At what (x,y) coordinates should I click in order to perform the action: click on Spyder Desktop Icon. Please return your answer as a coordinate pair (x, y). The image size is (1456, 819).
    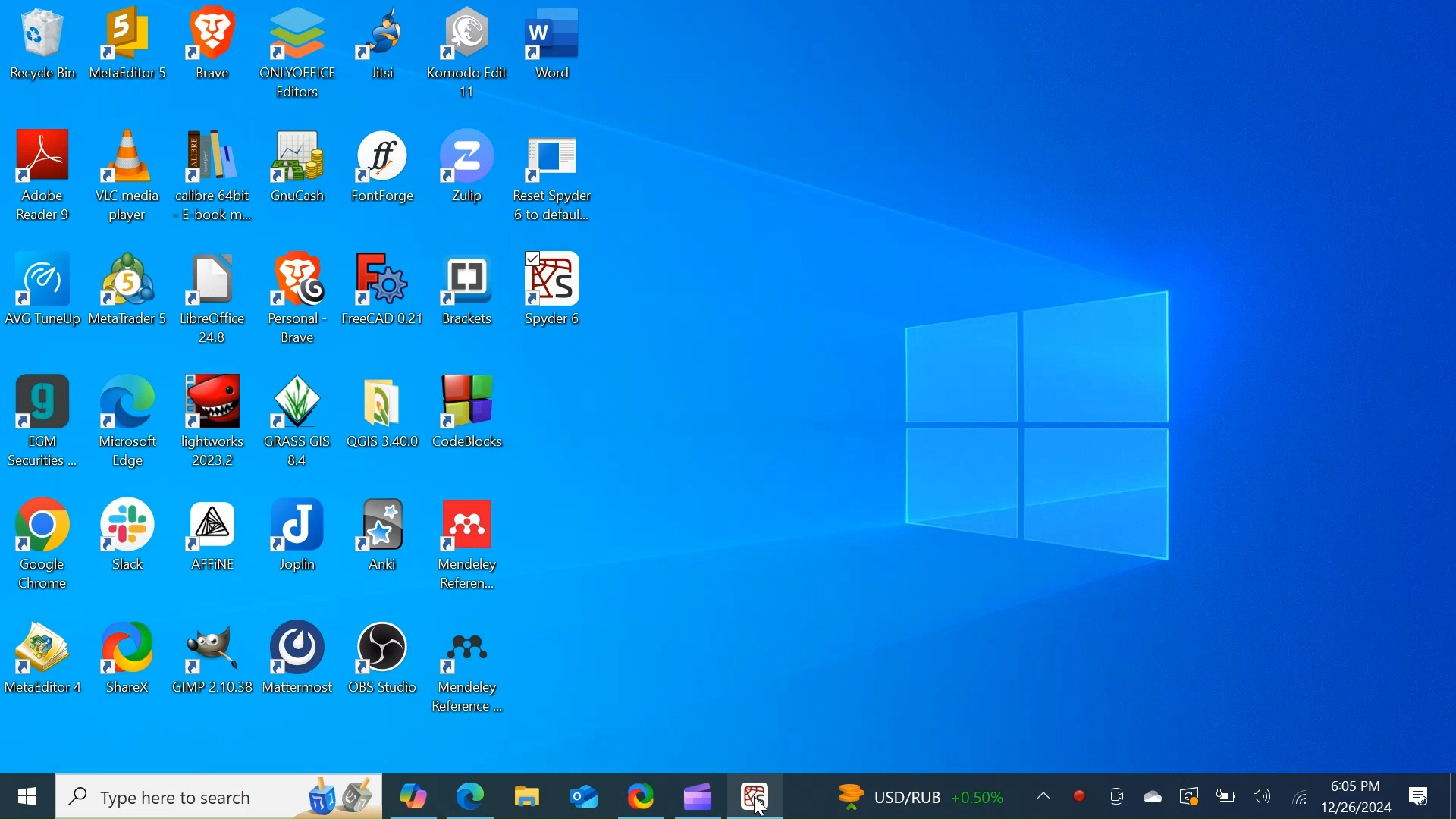
    Looking at the image, I should click on (756, 796).